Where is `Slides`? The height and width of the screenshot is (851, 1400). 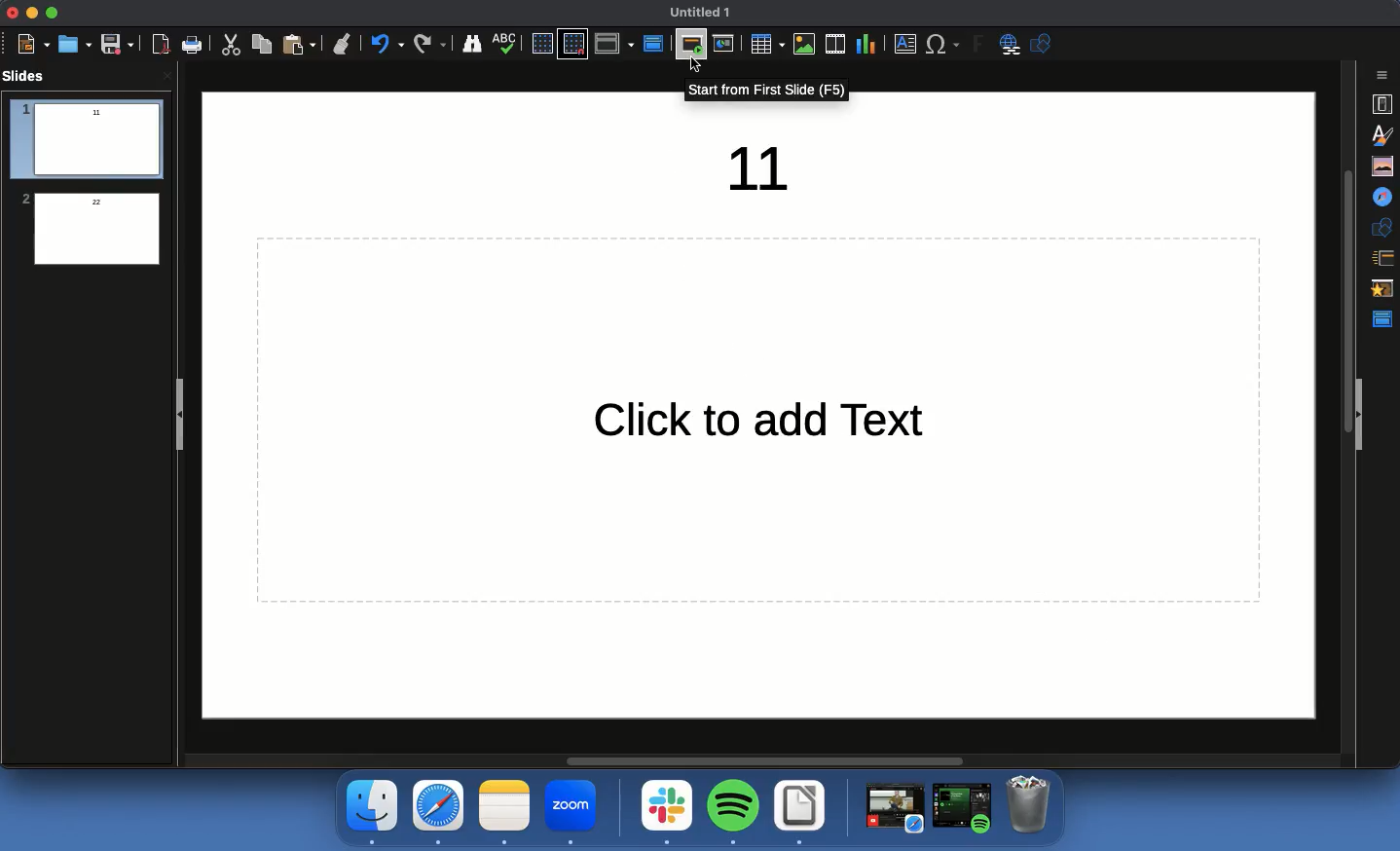
Slides is located at coordinates (26, 76).